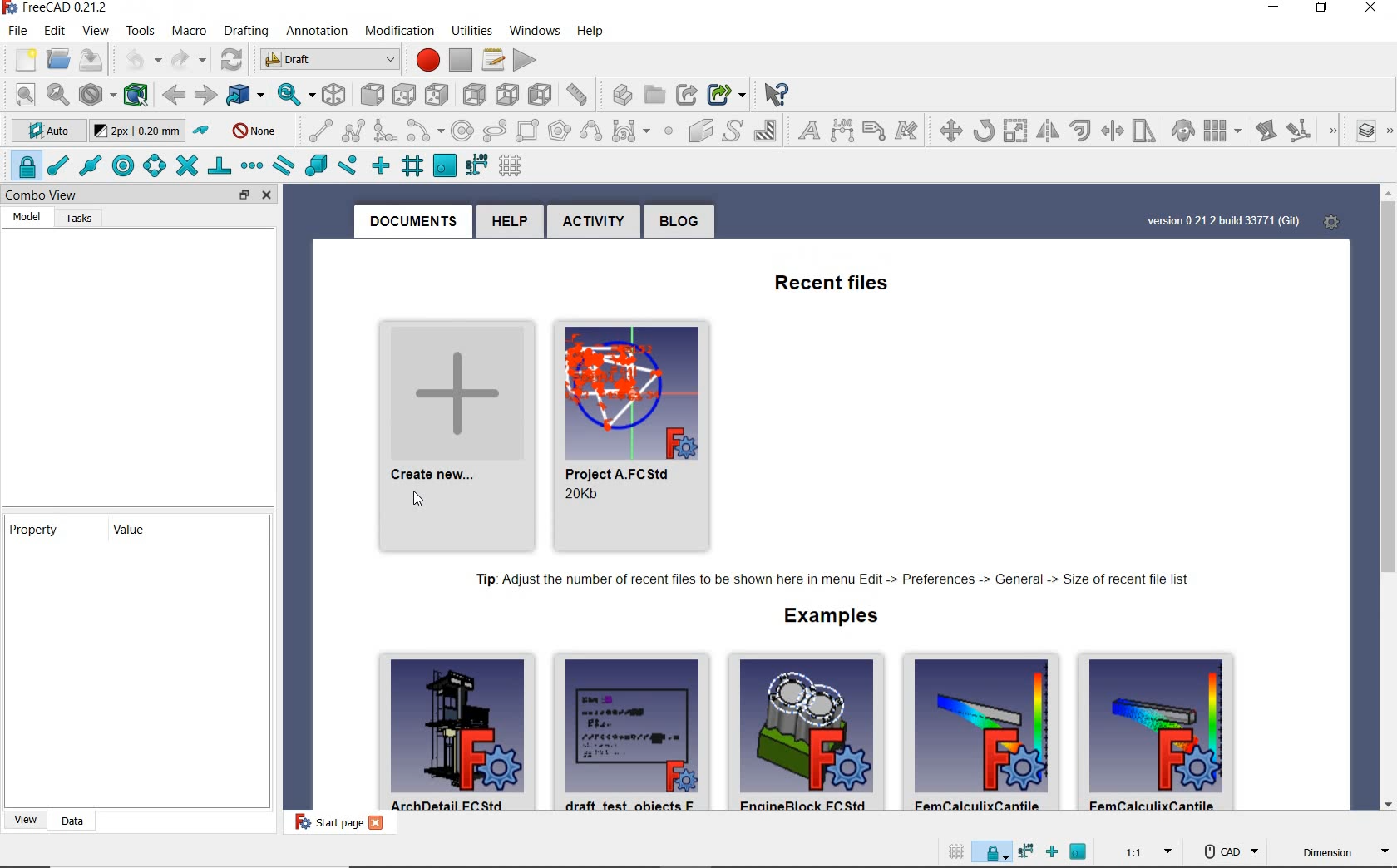 The image size is (1397, 868). Describe the element at coordinates (510, 165) in the screenshot. I see `toggle grid` at that location.